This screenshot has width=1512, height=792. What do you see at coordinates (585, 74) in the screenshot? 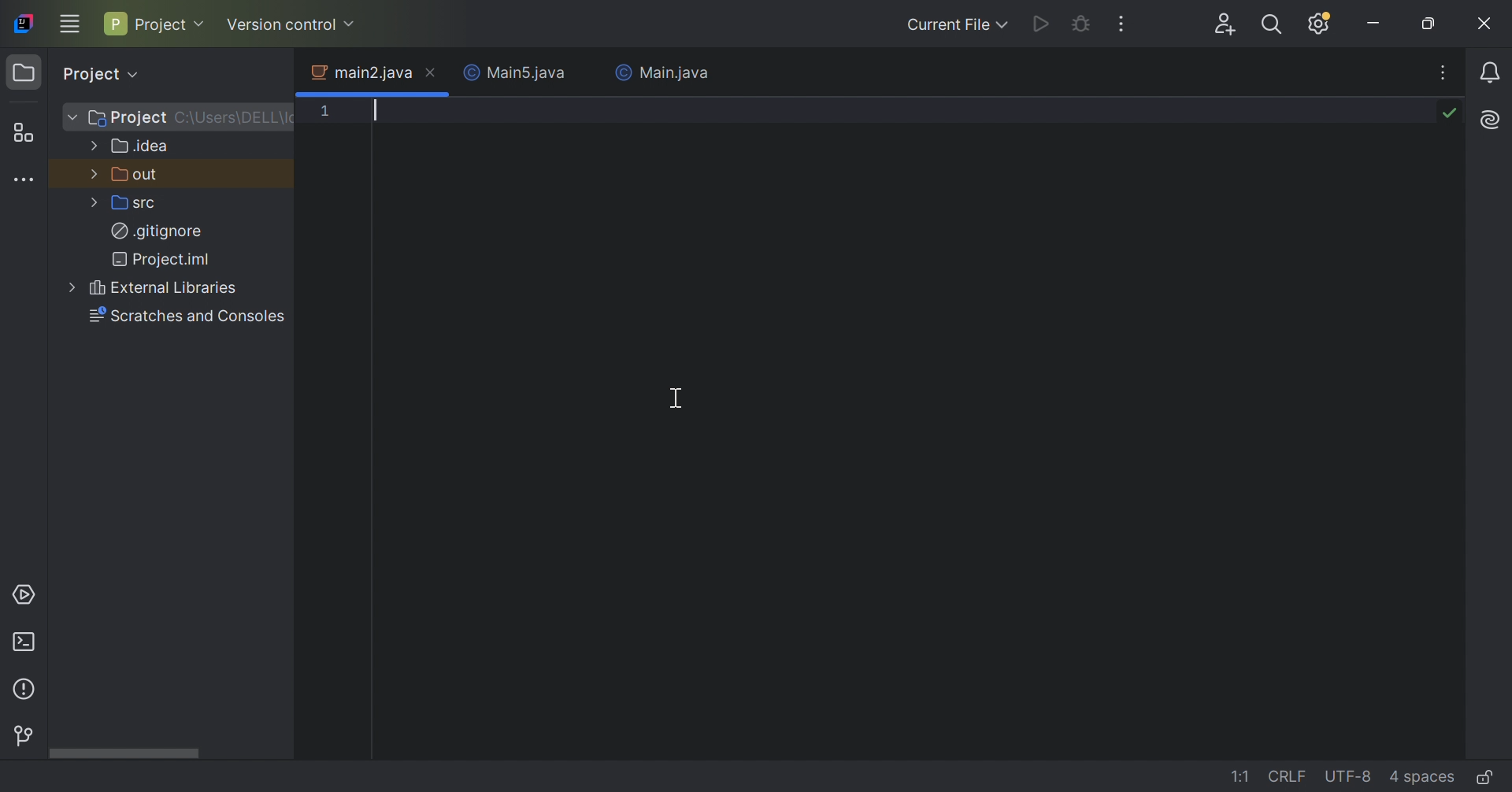
I see `Close` at bounding box center [585, 74].